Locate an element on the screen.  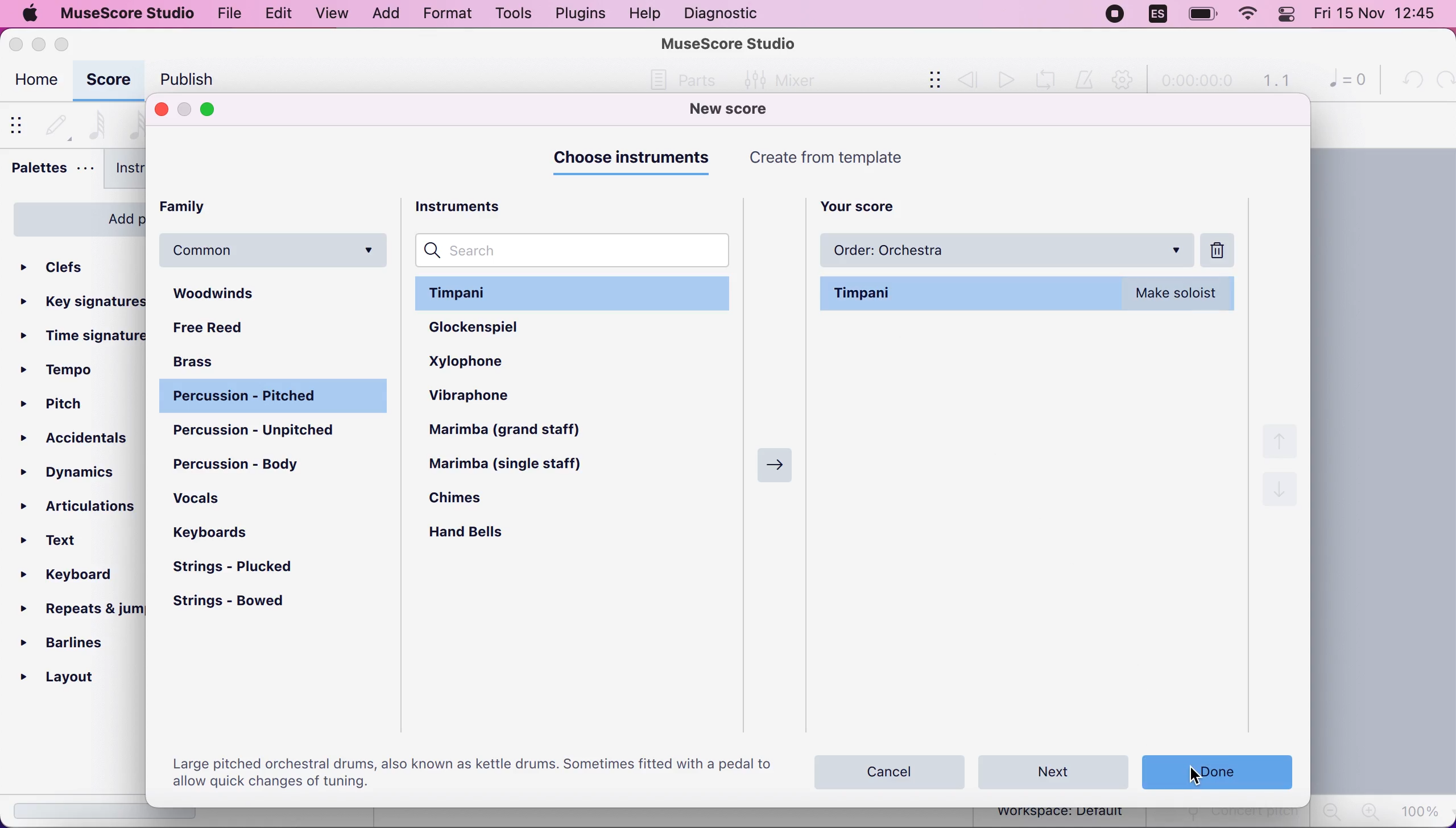
keyboard is located at coordinates (76, 577).